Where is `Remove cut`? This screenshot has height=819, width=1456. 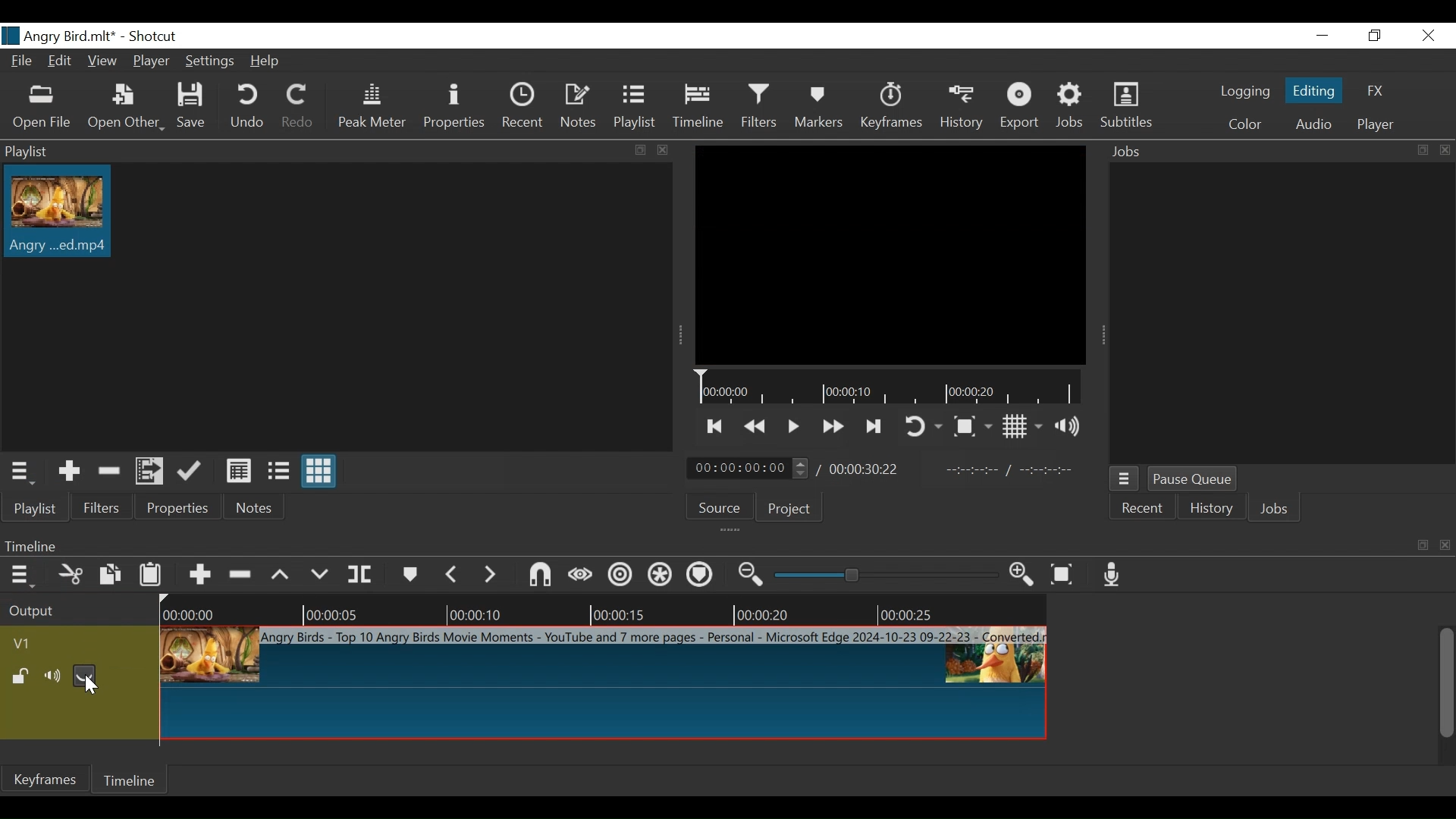 Remove cut is located at coordinates (105, 471).